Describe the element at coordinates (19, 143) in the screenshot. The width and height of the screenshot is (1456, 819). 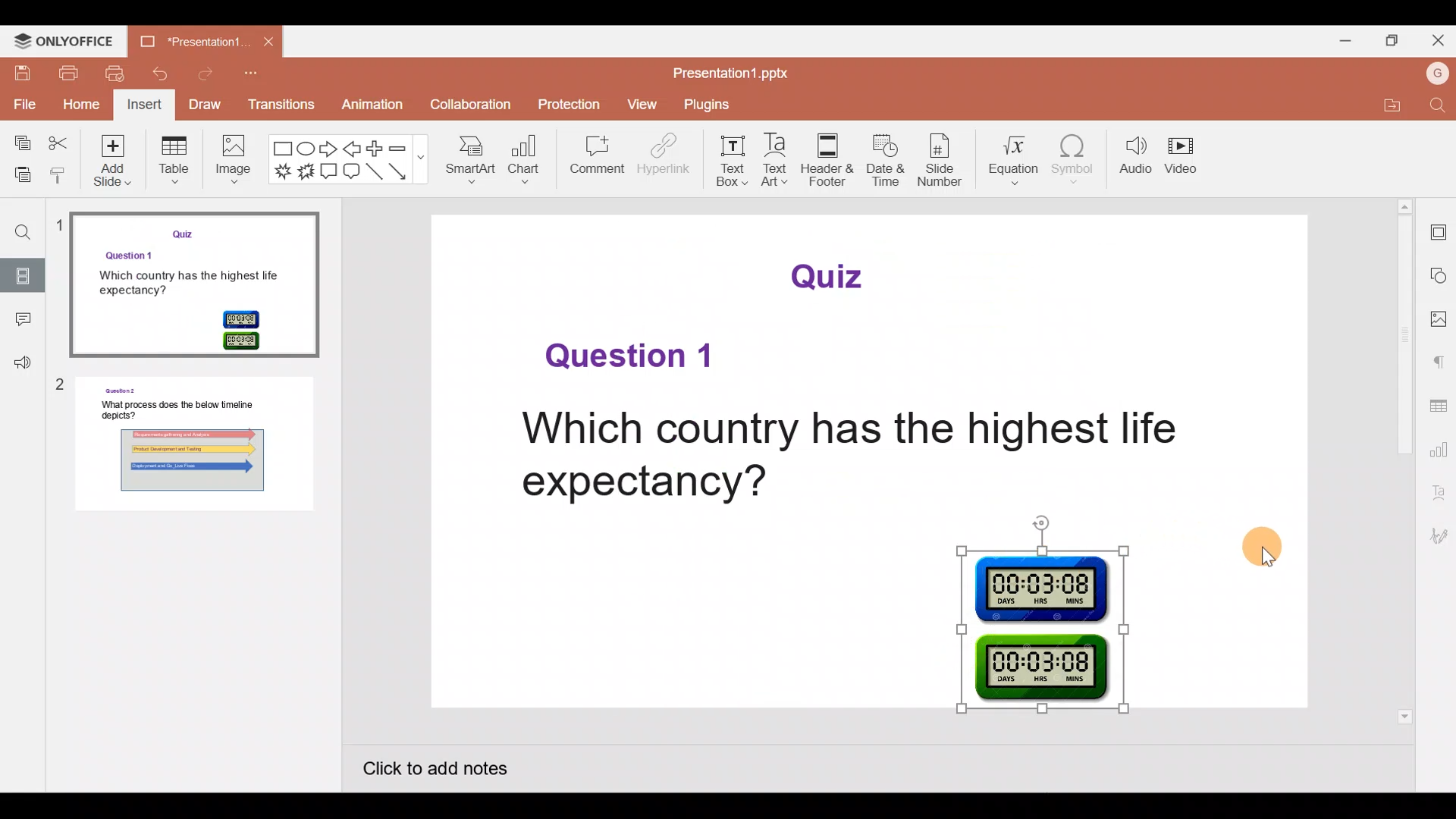
I see `Copy` at that location.